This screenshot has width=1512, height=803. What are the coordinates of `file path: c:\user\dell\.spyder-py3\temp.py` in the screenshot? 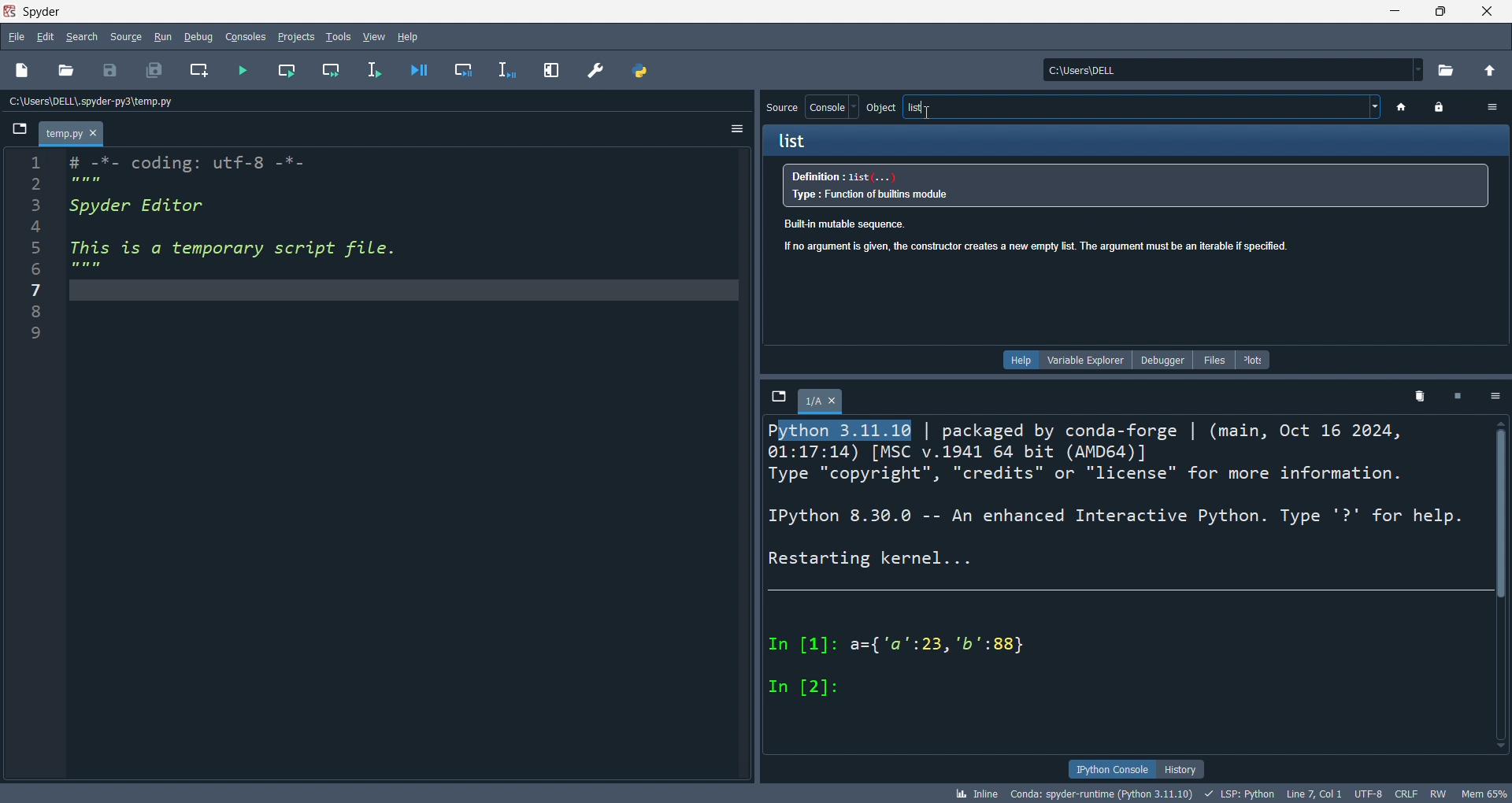 It's located at (202, 103).